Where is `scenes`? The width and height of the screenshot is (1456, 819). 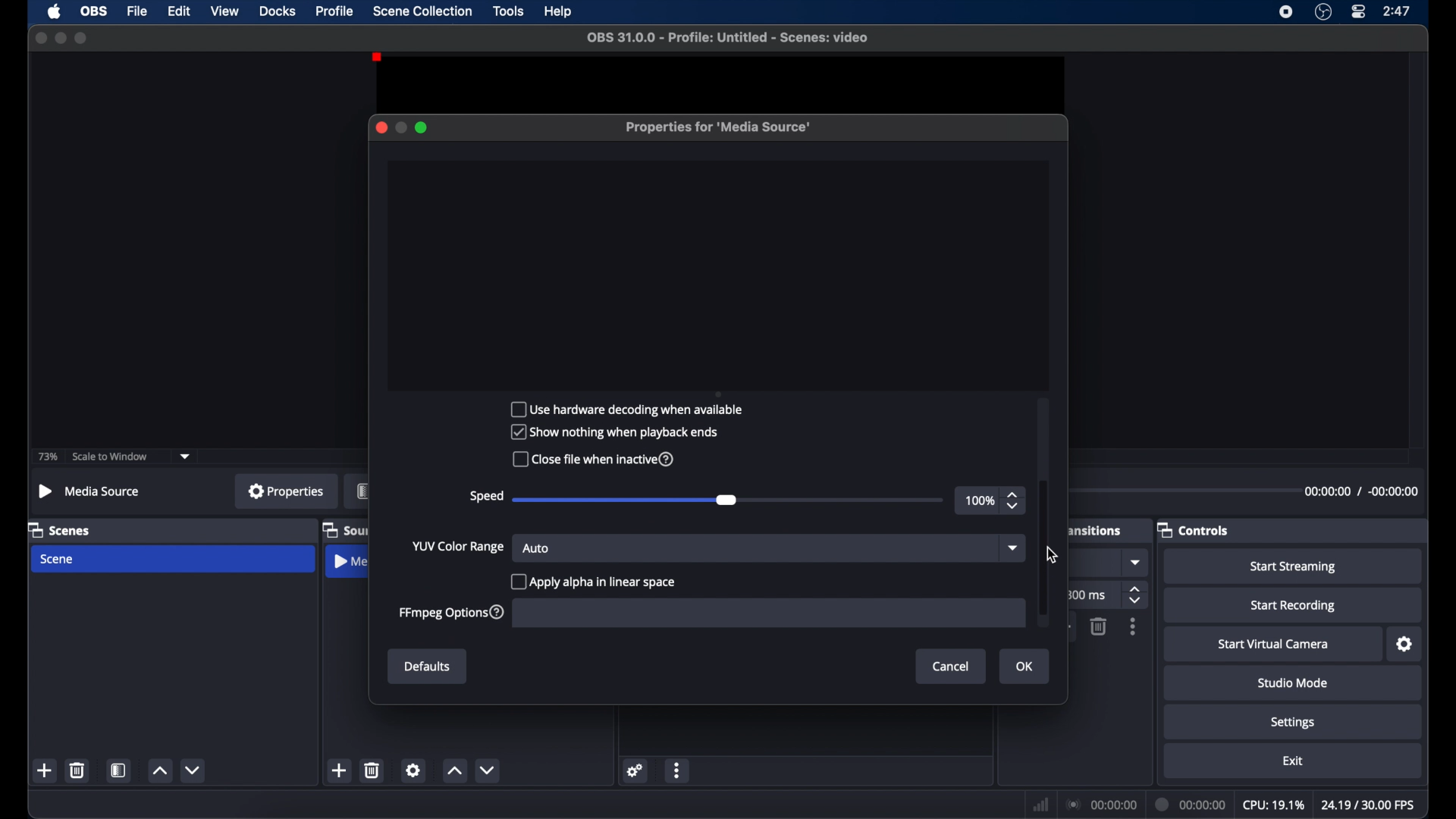
scenes is located at coordinates (59, 531).